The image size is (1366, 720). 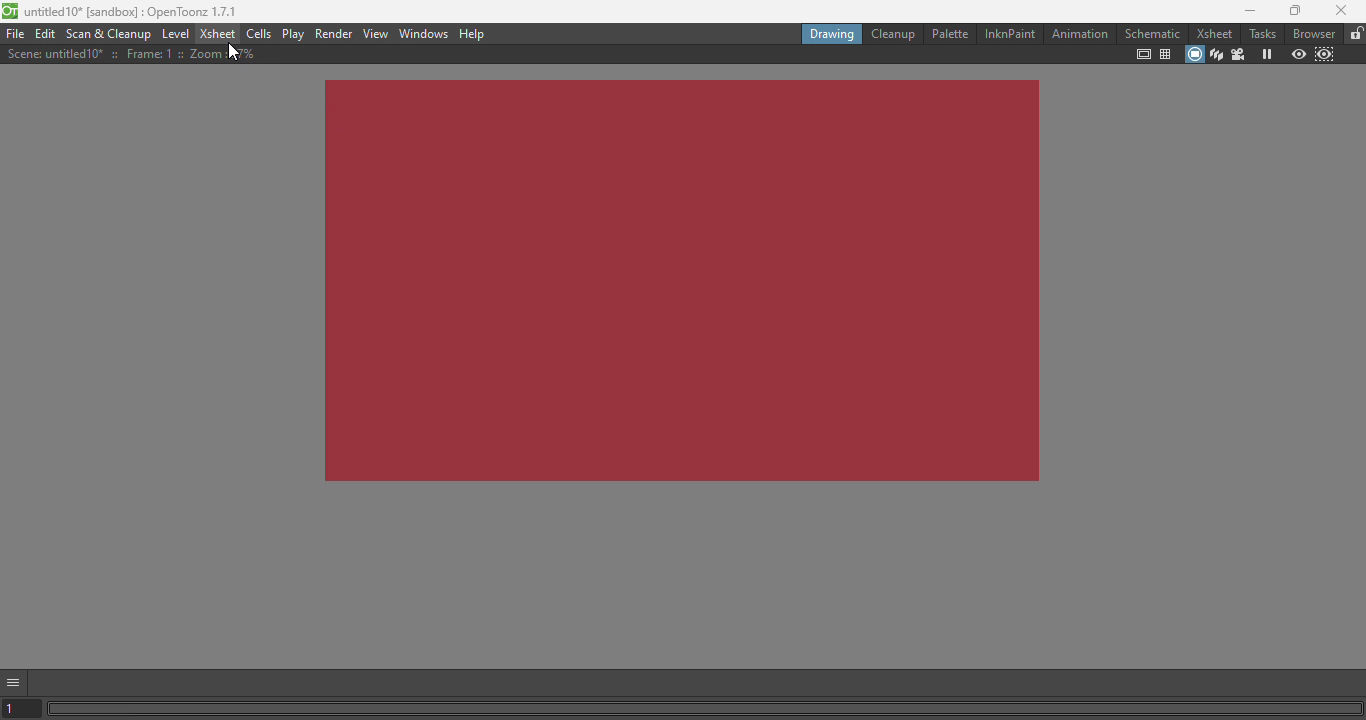 I want to click on Edit, so click(x=47, y=35).